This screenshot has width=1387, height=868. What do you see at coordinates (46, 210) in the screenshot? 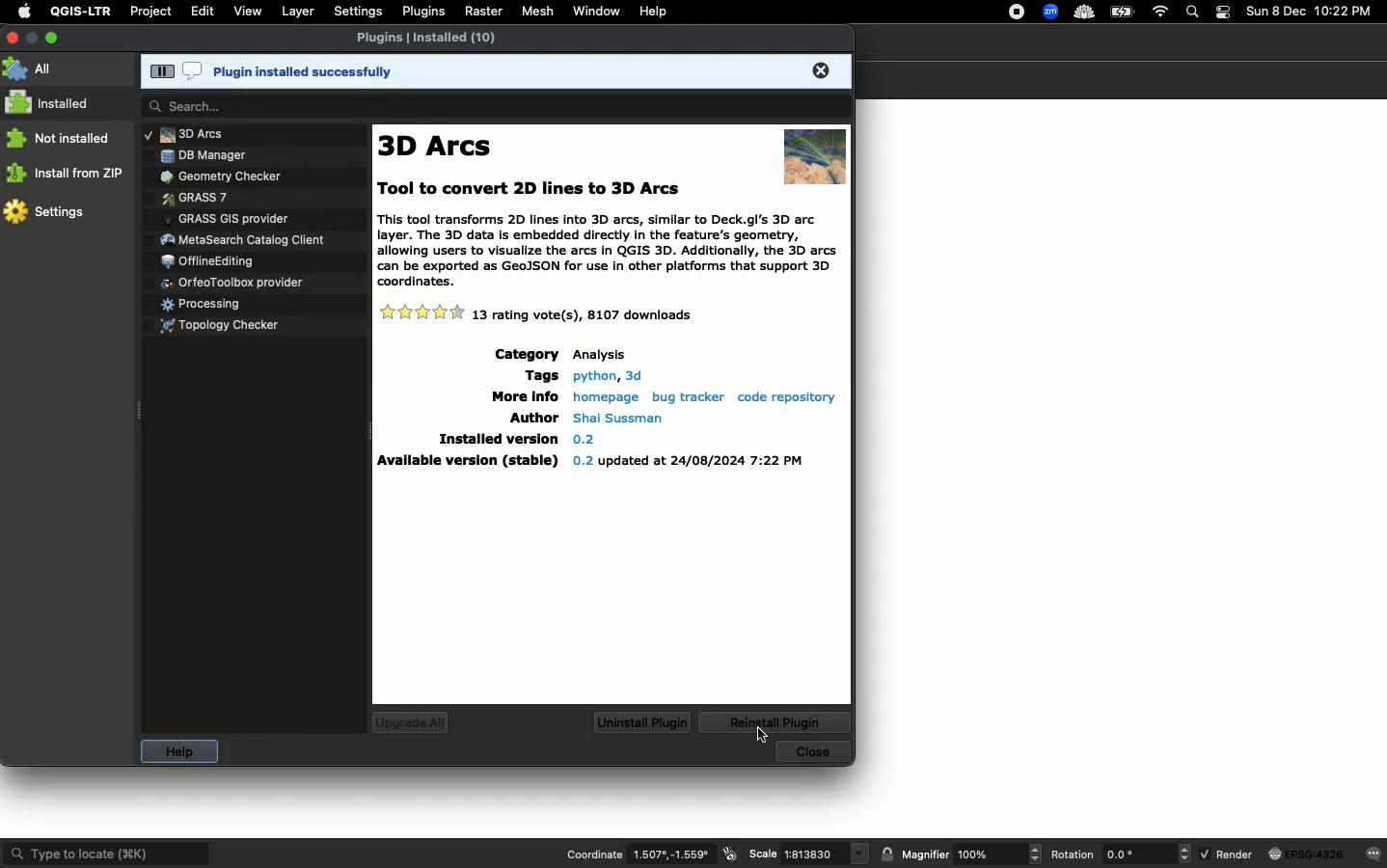
I see `Settings` at bounding box center [46, 210].